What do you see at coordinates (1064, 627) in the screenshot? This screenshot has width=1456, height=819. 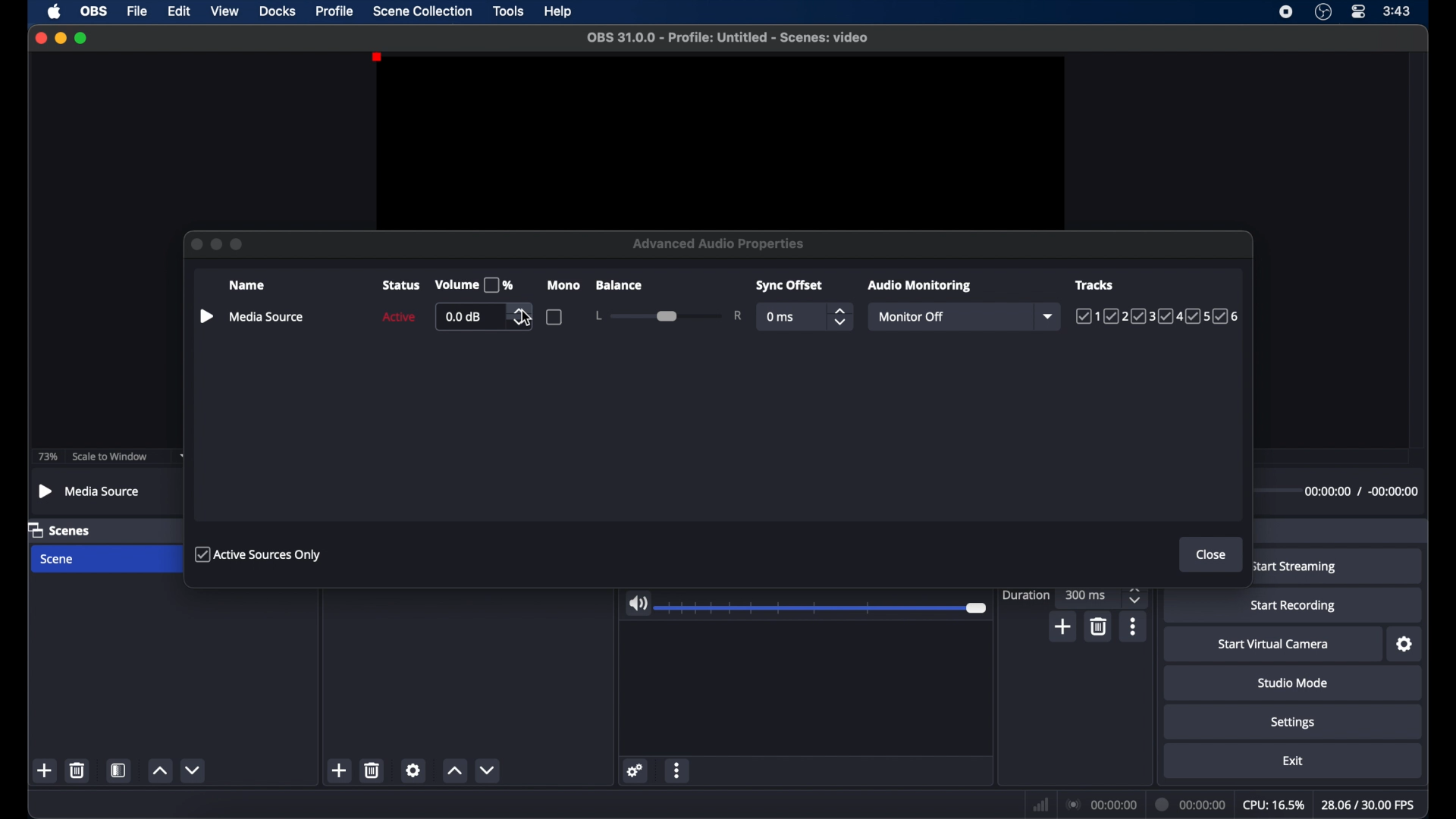 I see `add` at bounding box center [1064, 627].